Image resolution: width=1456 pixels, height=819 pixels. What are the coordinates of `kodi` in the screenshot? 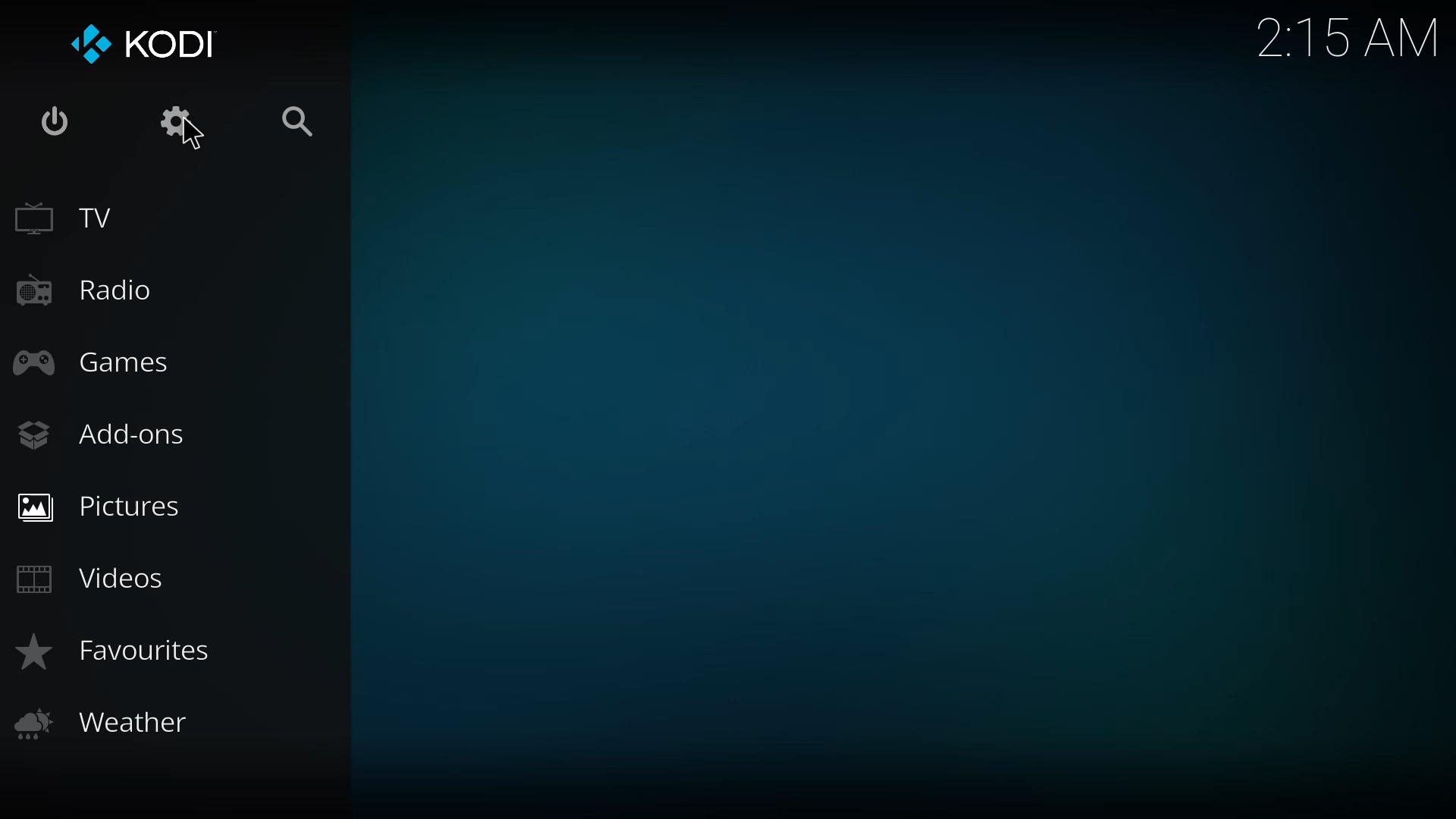 It's located at (144, 46).